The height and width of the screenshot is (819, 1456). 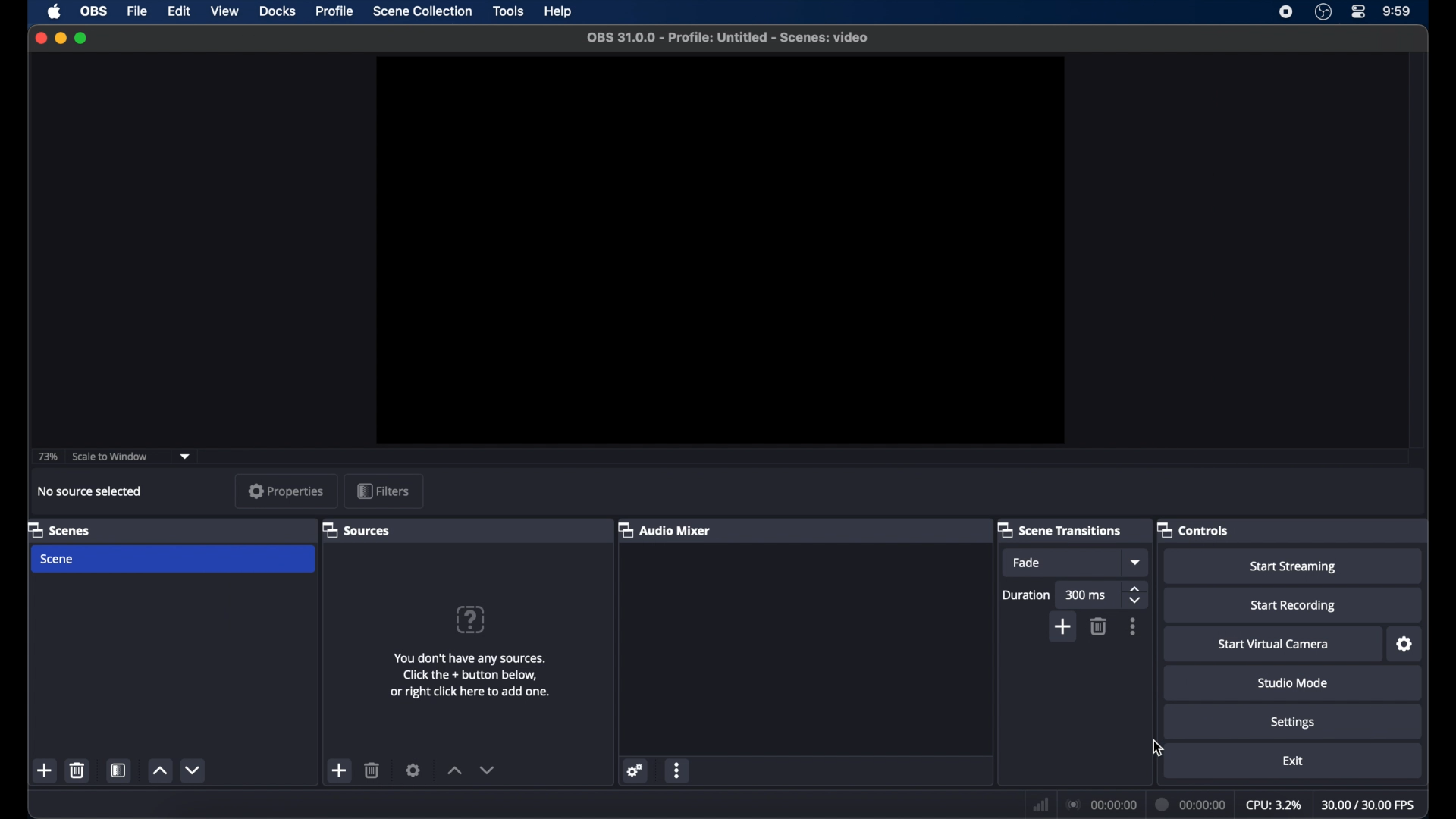 What do you see at coordinates (1103, 803) in the screenshot?
I see `connection` at bounding box center [1103, 803].